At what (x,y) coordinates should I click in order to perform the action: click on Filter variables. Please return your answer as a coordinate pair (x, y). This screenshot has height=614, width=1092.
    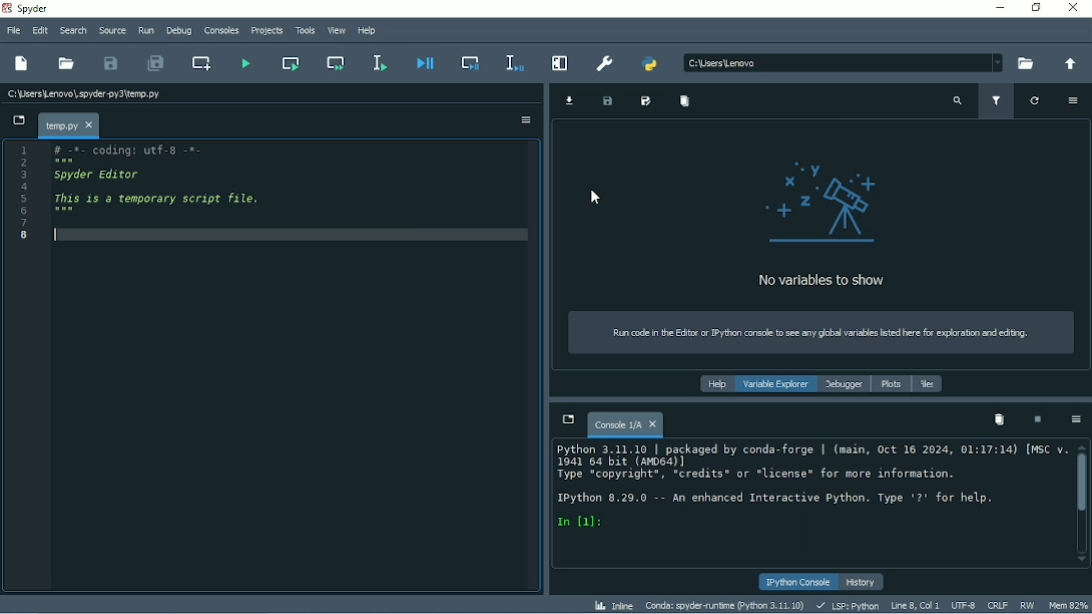
    Looking at the image, I should click on (998, 102).